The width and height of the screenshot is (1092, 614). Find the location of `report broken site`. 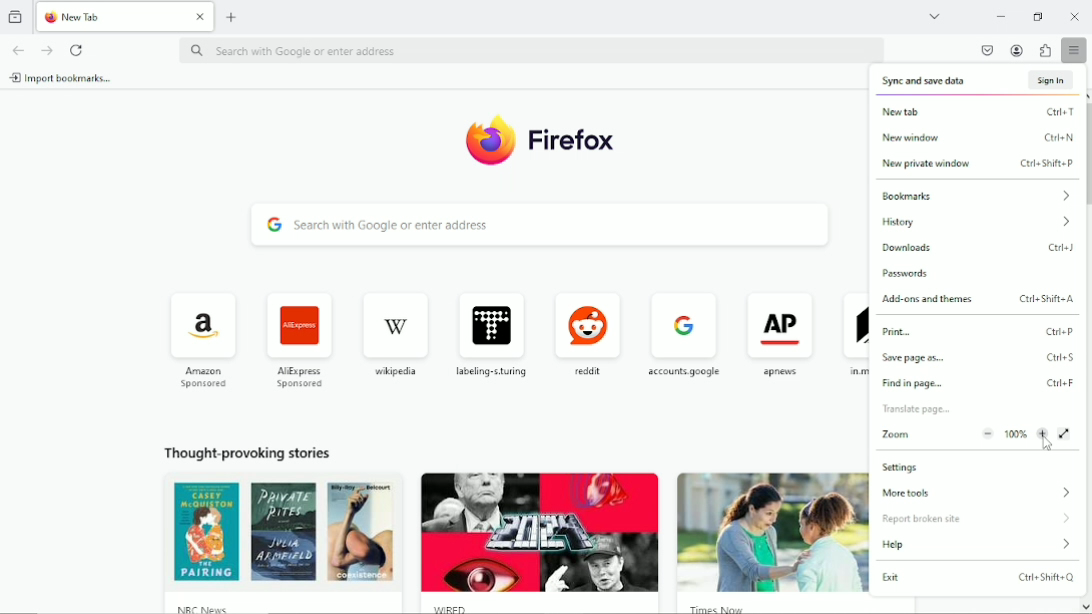

report broken site is located at coordinates (978, 519).